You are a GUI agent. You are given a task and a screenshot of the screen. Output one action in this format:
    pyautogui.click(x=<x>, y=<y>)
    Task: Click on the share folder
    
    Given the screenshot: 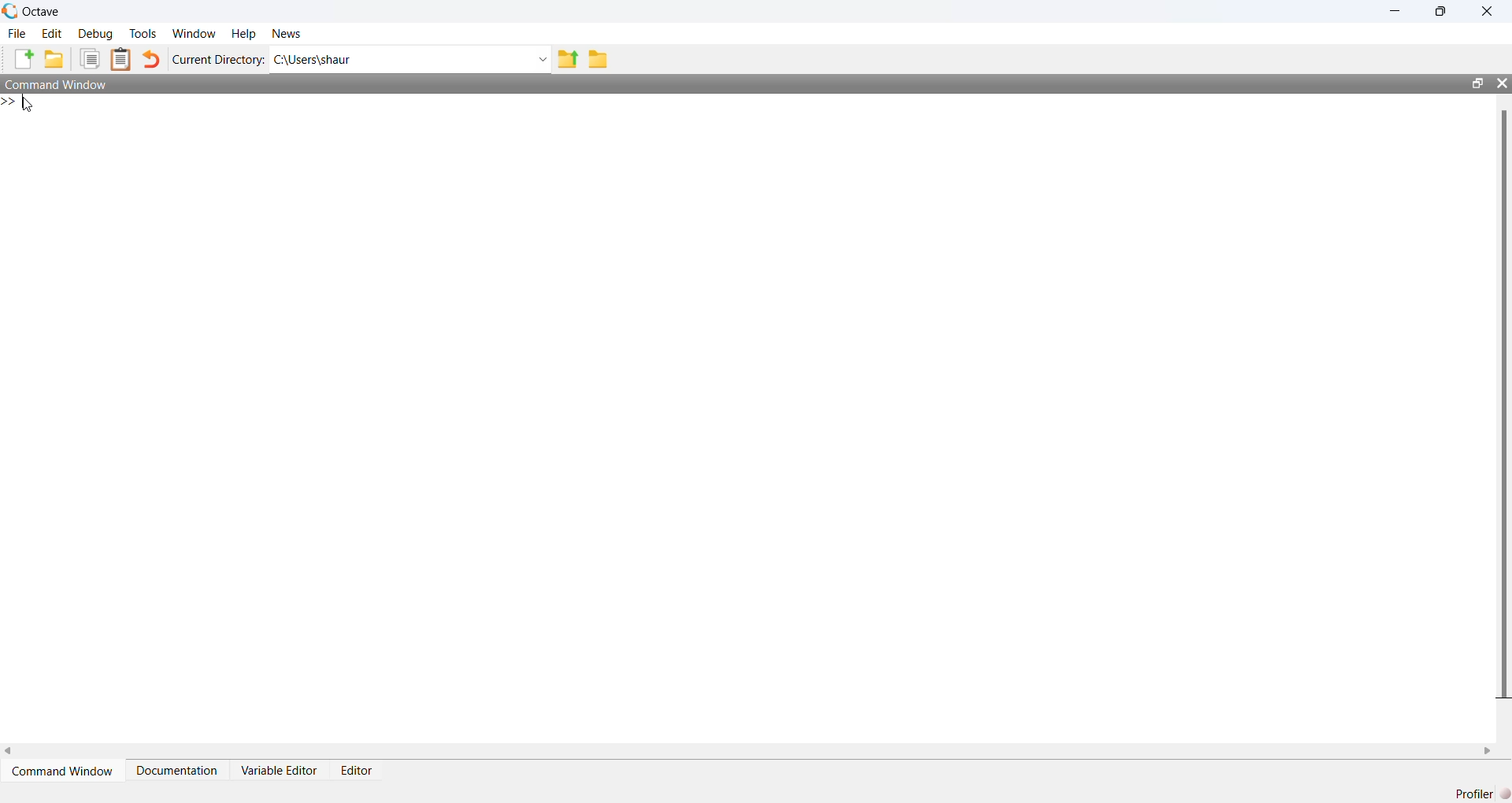 What is the action you would take?
    pyautogui.click(x=567, y=59)
    